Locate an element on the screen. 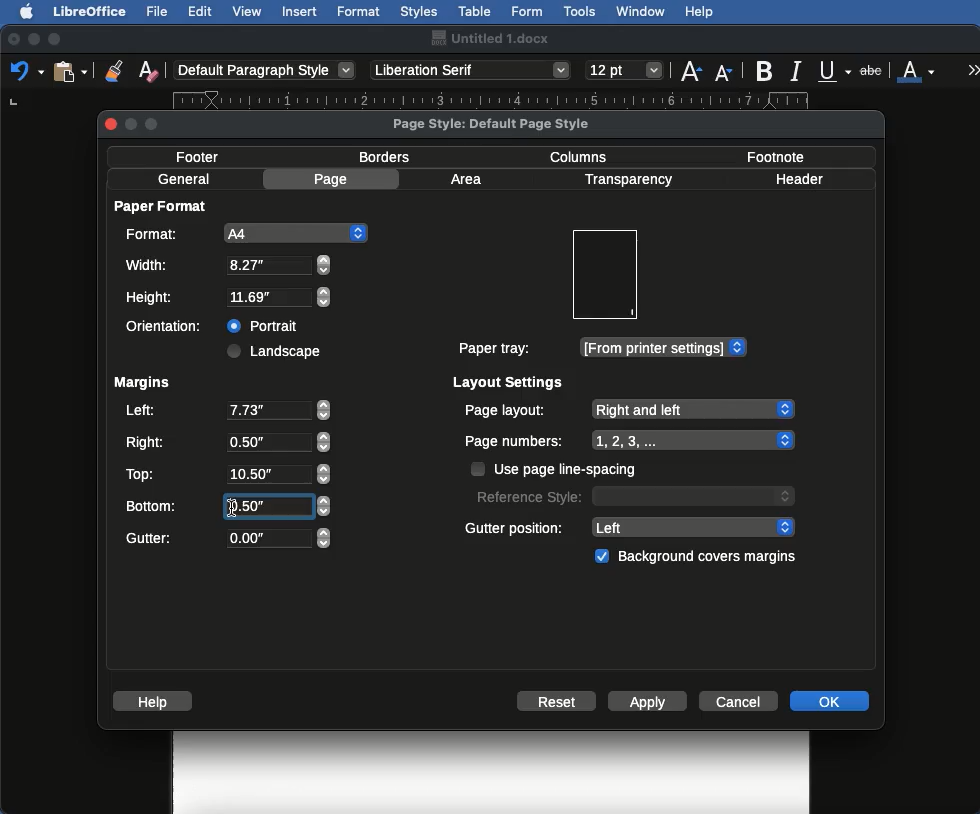 This screenshot has width=980, height=814. Background covers margins is located at coordinates (699, 557).